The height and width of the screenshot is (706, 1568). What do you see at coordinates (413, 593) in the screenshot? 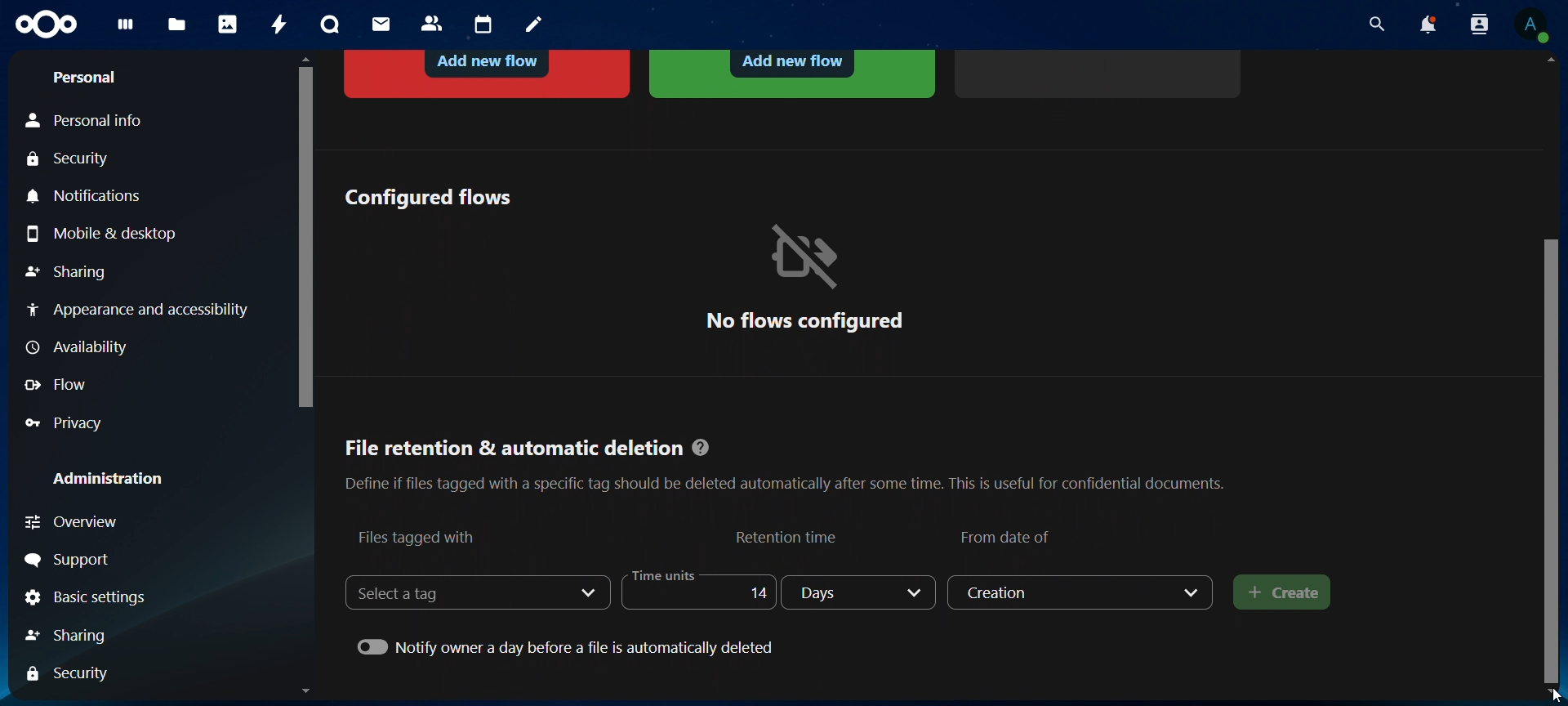
I see `select a tag` at bounding box center [413, 593].